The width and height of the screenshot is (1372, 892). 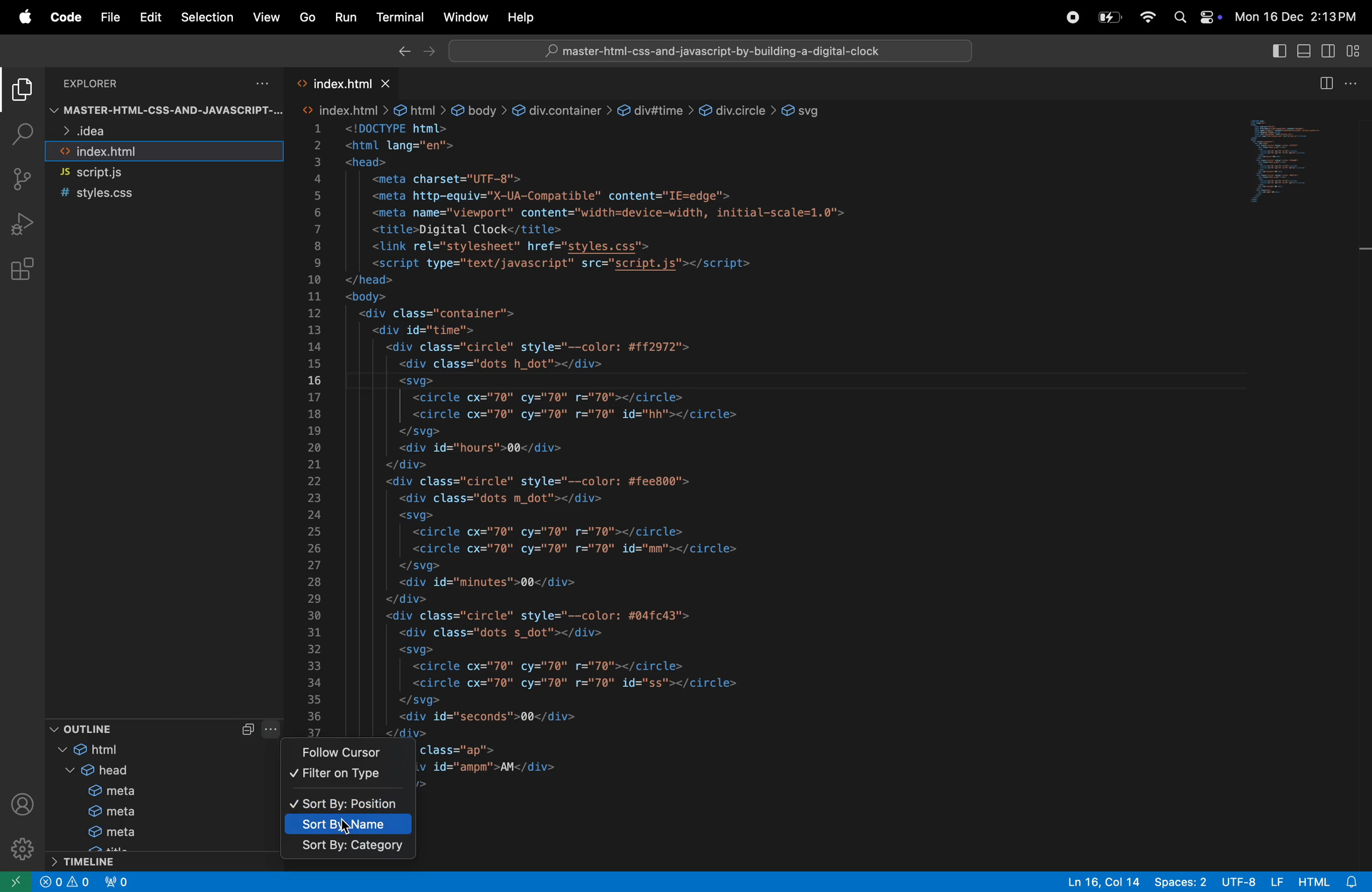 What do you see at coordinates (705, 50) in the screenshot?
I see `workspace search bar` at bounding box center [705, 50].